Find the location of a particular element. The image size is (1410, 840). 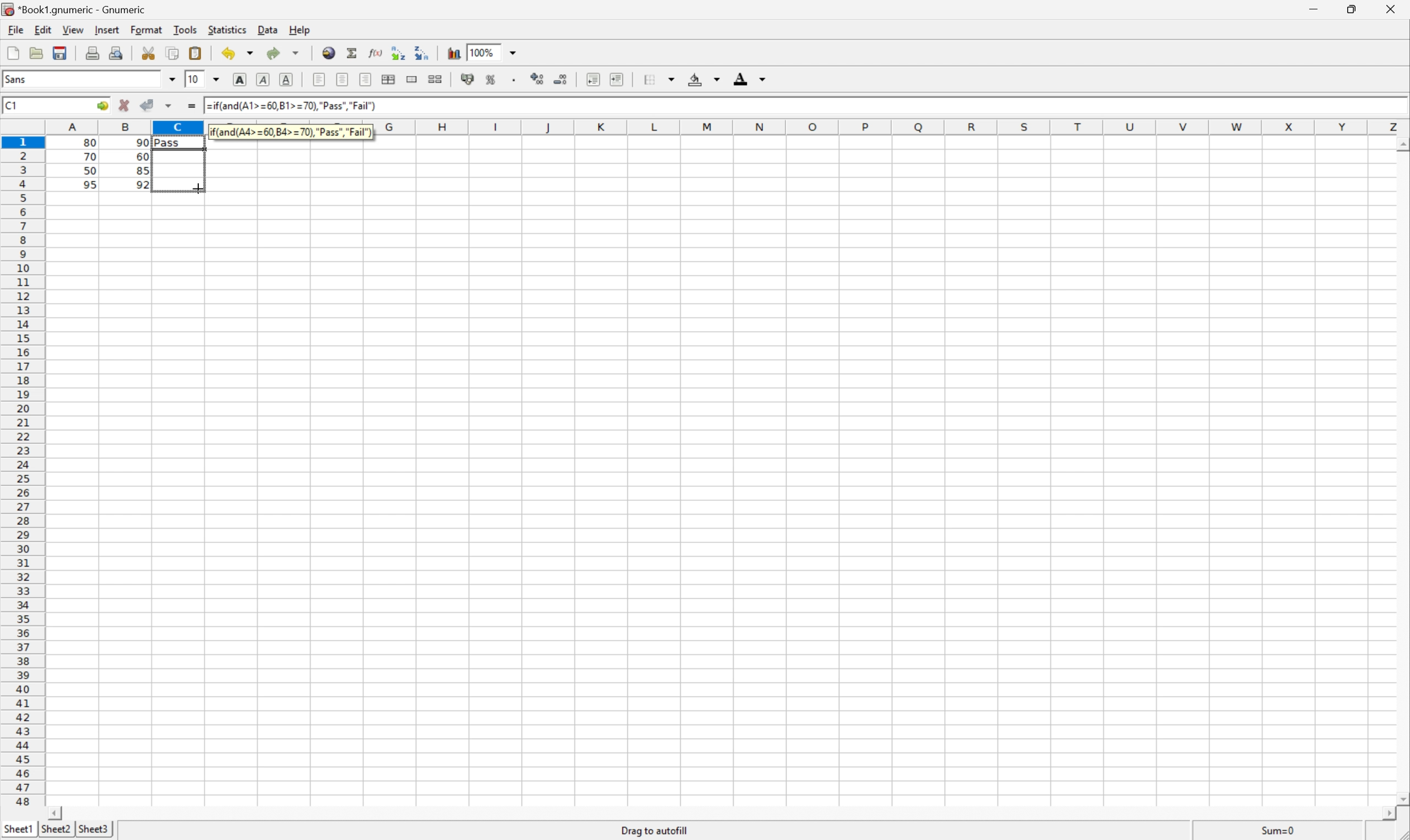

80 is located at coordinates (93, 140).